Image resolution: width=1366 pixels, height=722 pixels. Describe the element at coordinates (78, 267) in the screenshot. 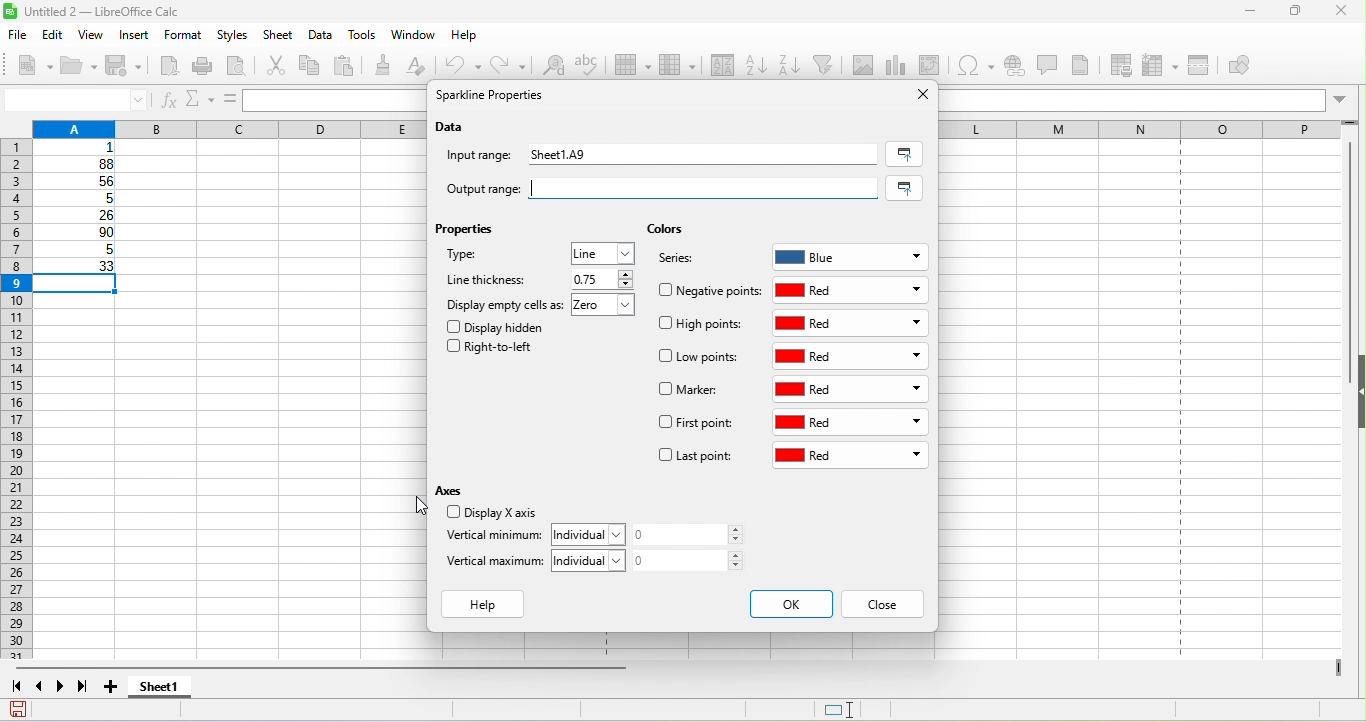

I see `33` at that location.